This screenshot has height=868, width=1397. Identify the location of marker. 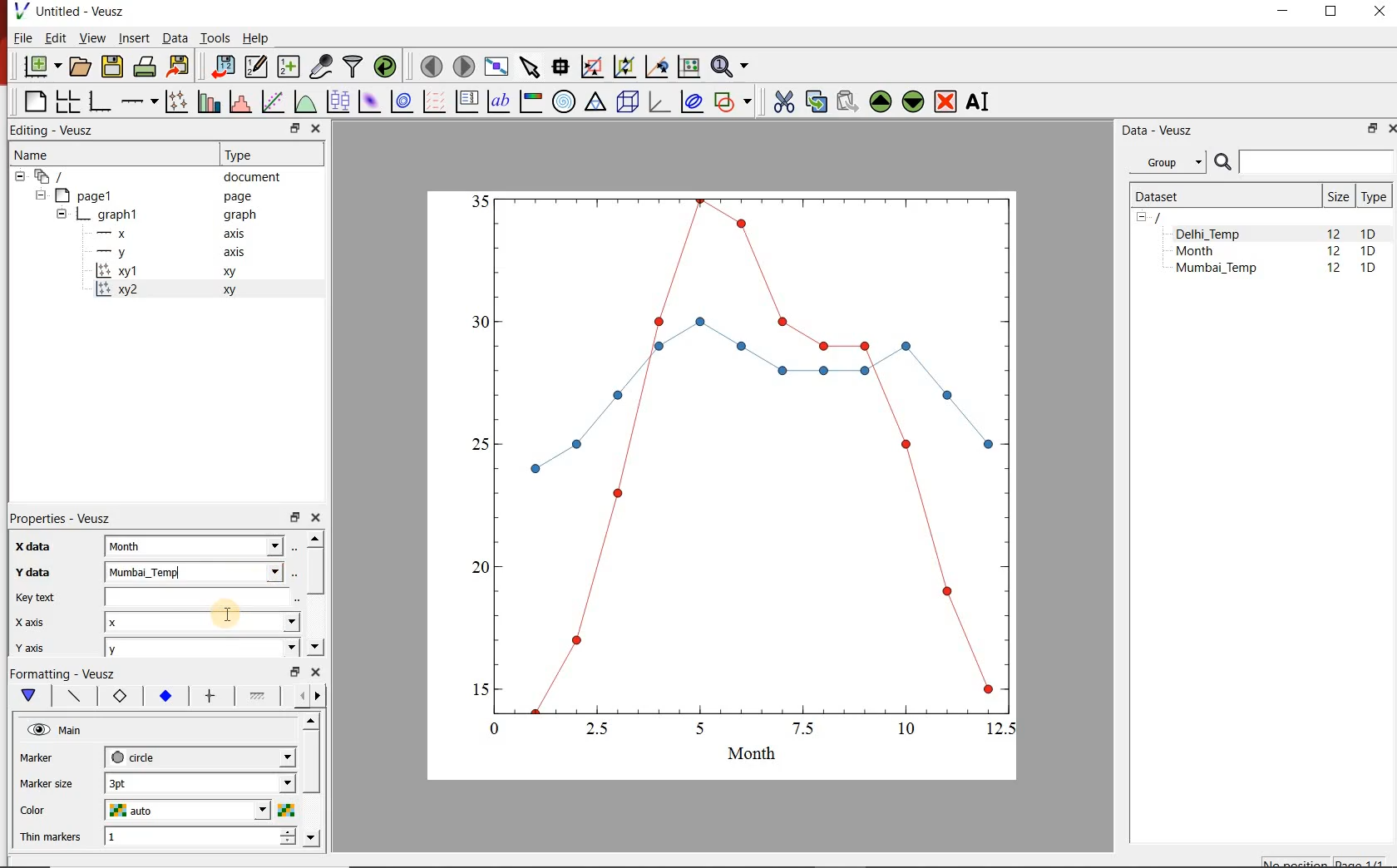
(49, 757).